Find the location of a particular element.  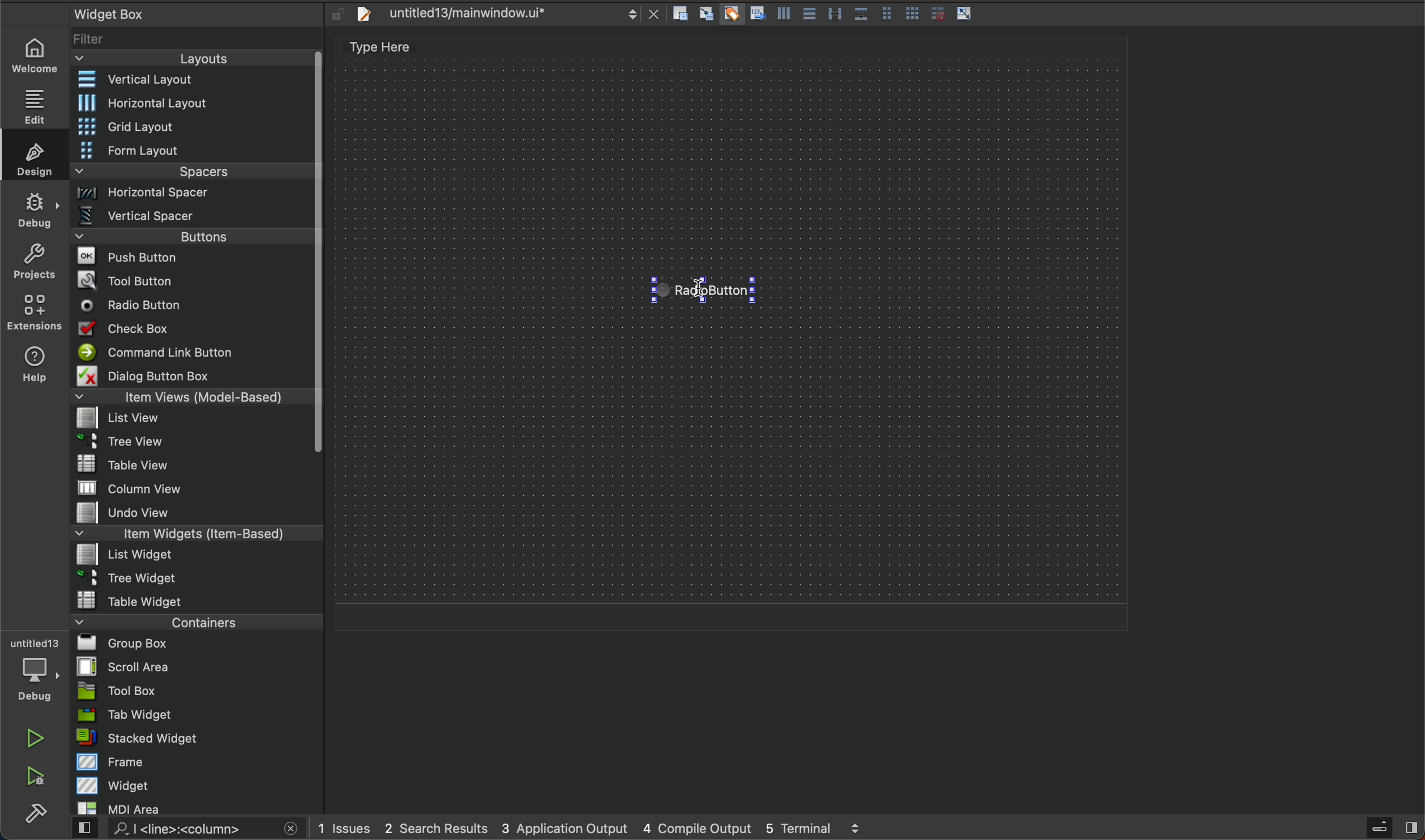

stacked widget is located at coordinates (198, 738).